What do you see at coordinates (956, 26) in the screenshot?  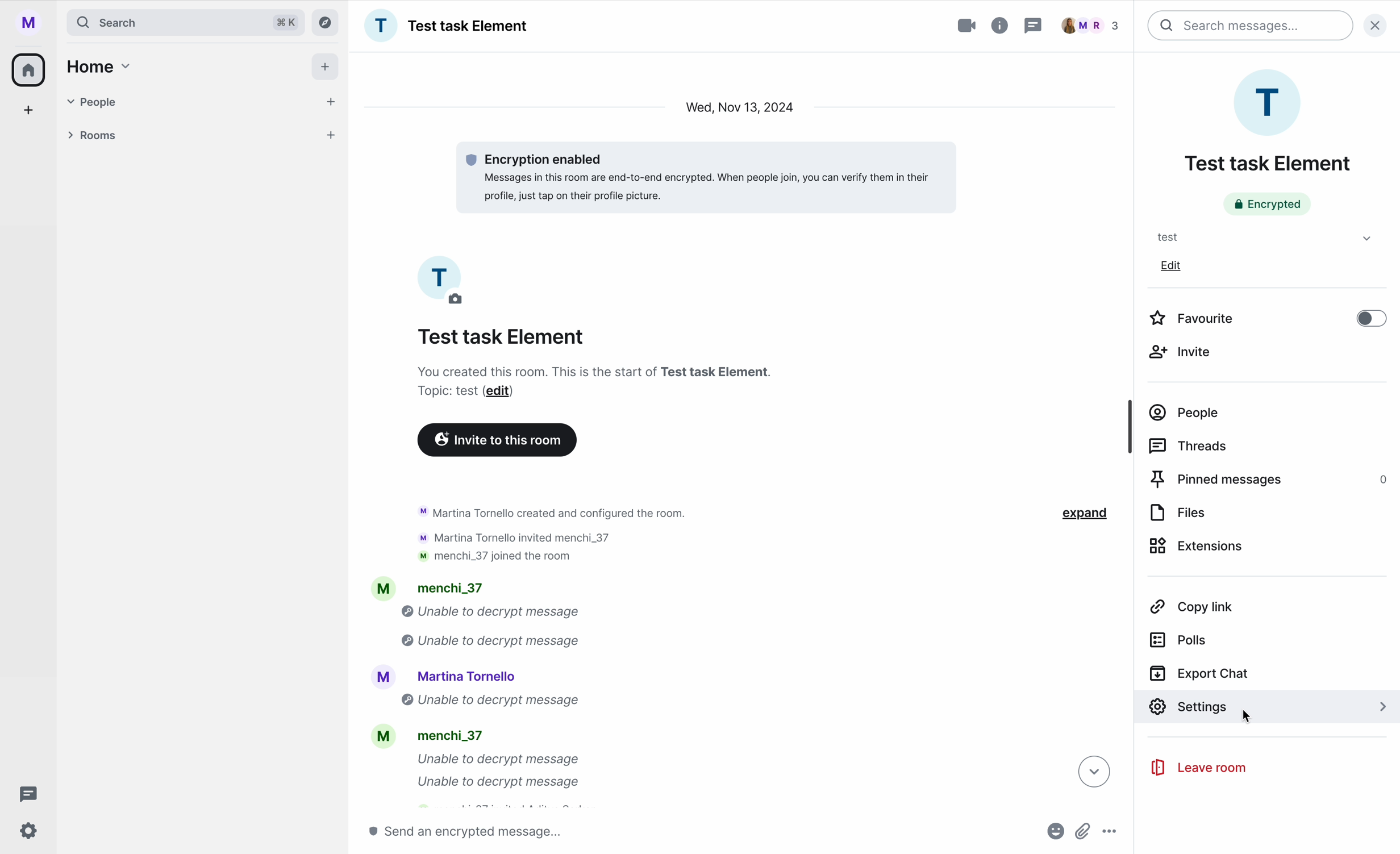 I see `video call` at bounding box center [956, 26].